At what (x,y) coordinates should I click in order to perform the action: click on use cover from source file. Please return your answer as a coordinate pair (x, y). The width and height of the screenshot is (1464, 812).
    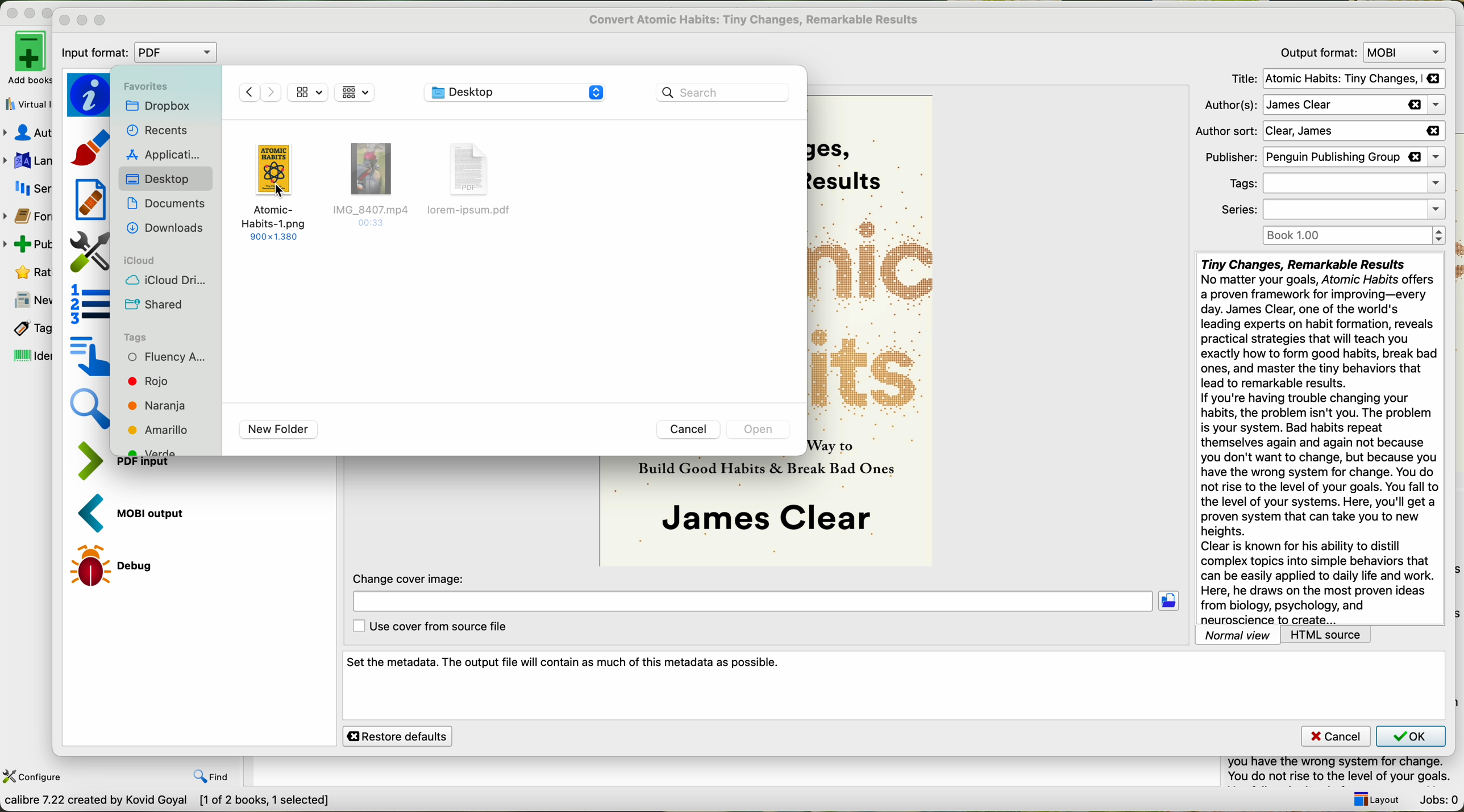
    Looking at the image, I should click on (428, 627).